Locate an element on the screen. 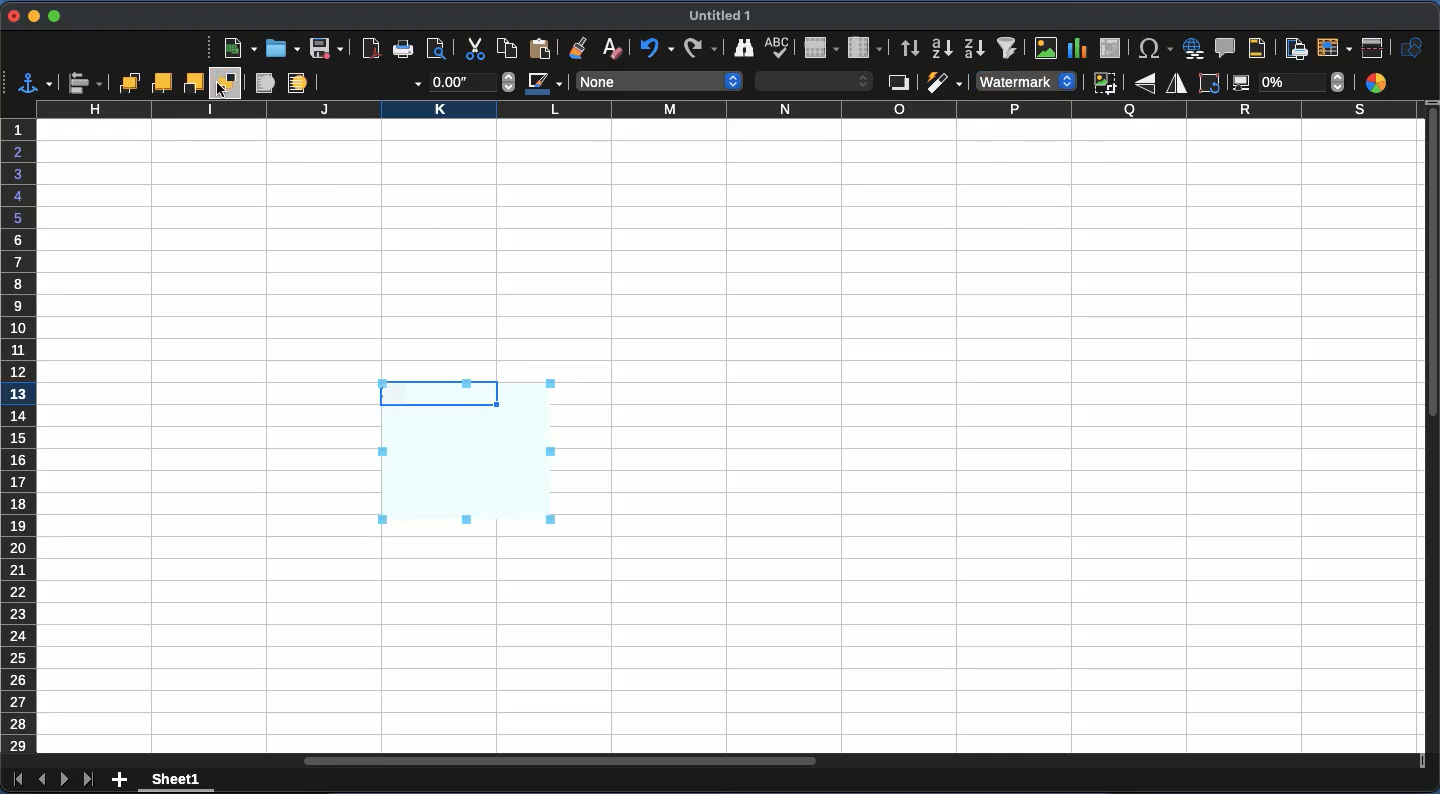 The height and width of the screenshot is (794, 1440). undo is located at coordinates (658, 47).